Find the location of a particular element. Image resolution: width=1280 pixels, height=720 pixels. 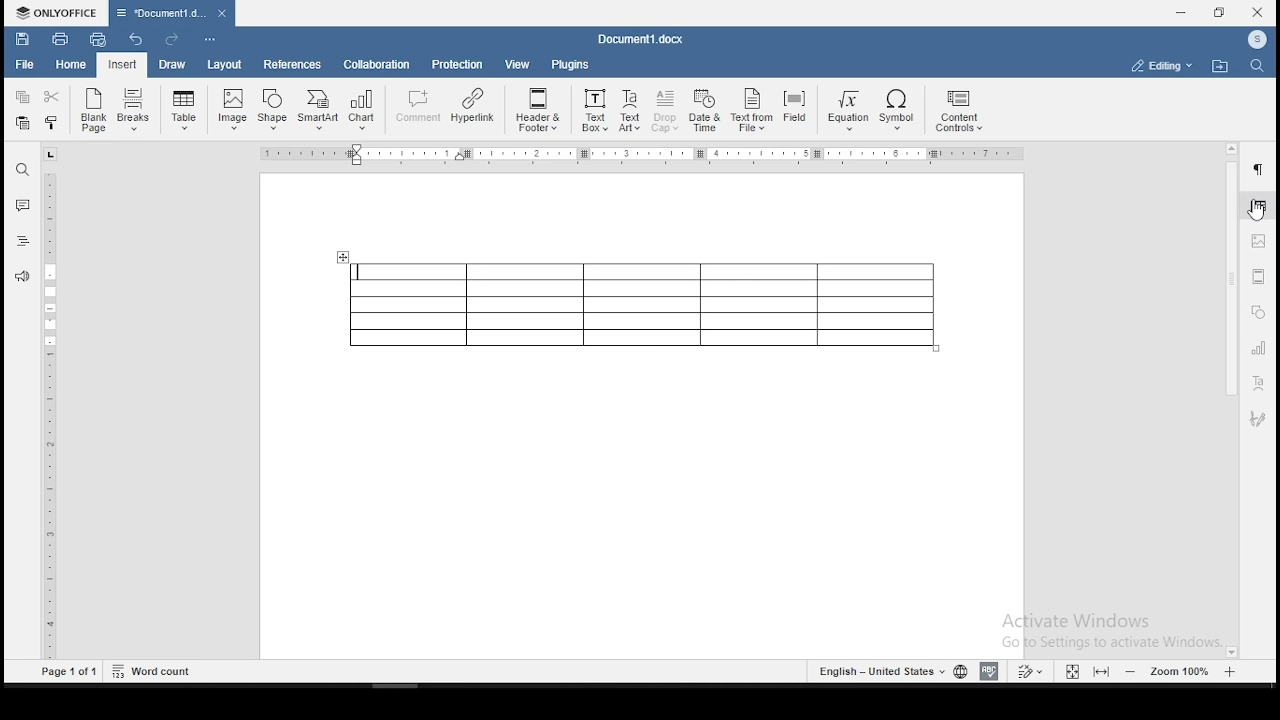

plugins is located at coordinates (571, 64).